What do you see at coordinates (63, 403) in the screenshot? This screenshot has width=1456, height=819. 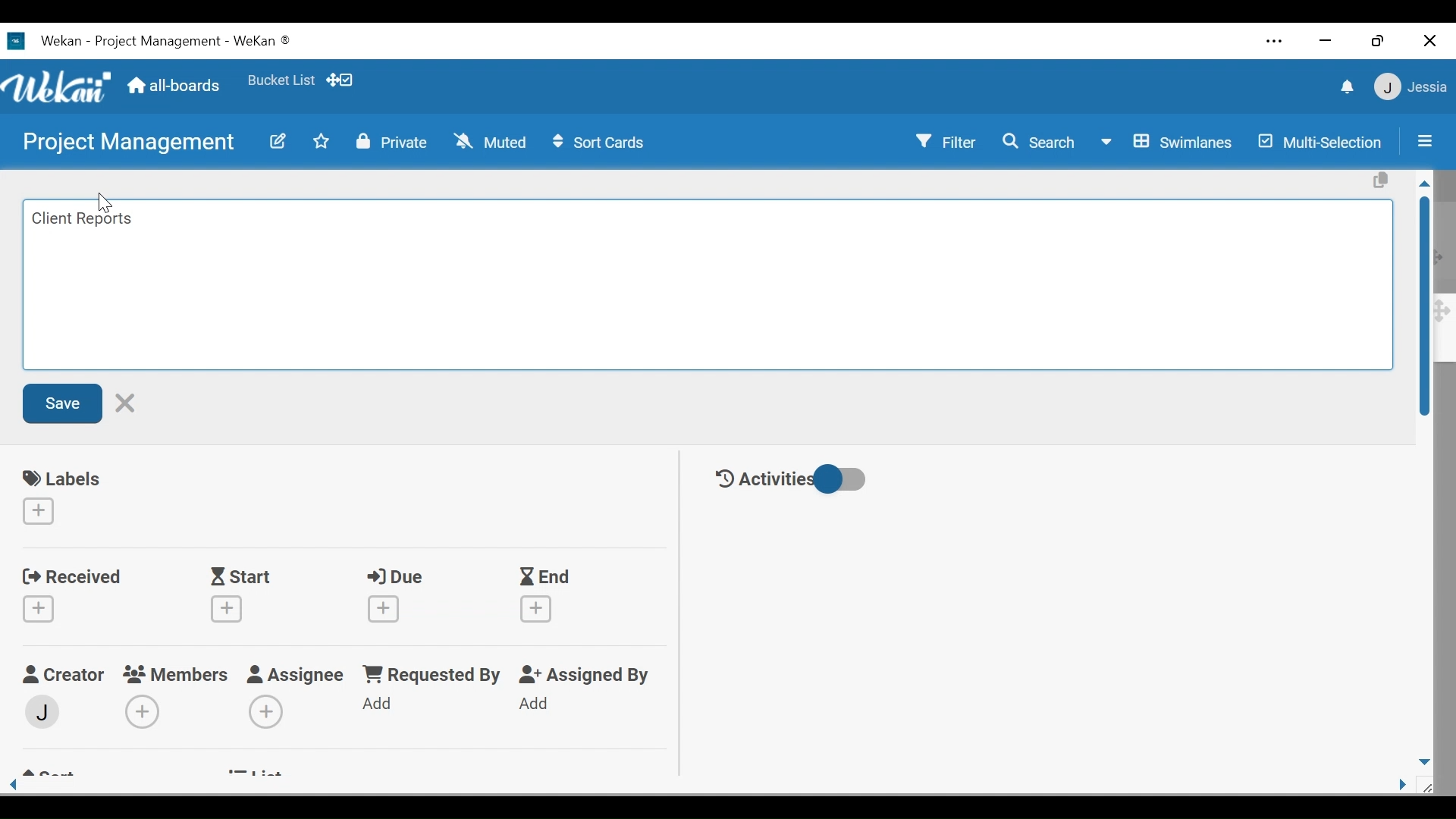 I see `Save` at bounding box center [63, 403].